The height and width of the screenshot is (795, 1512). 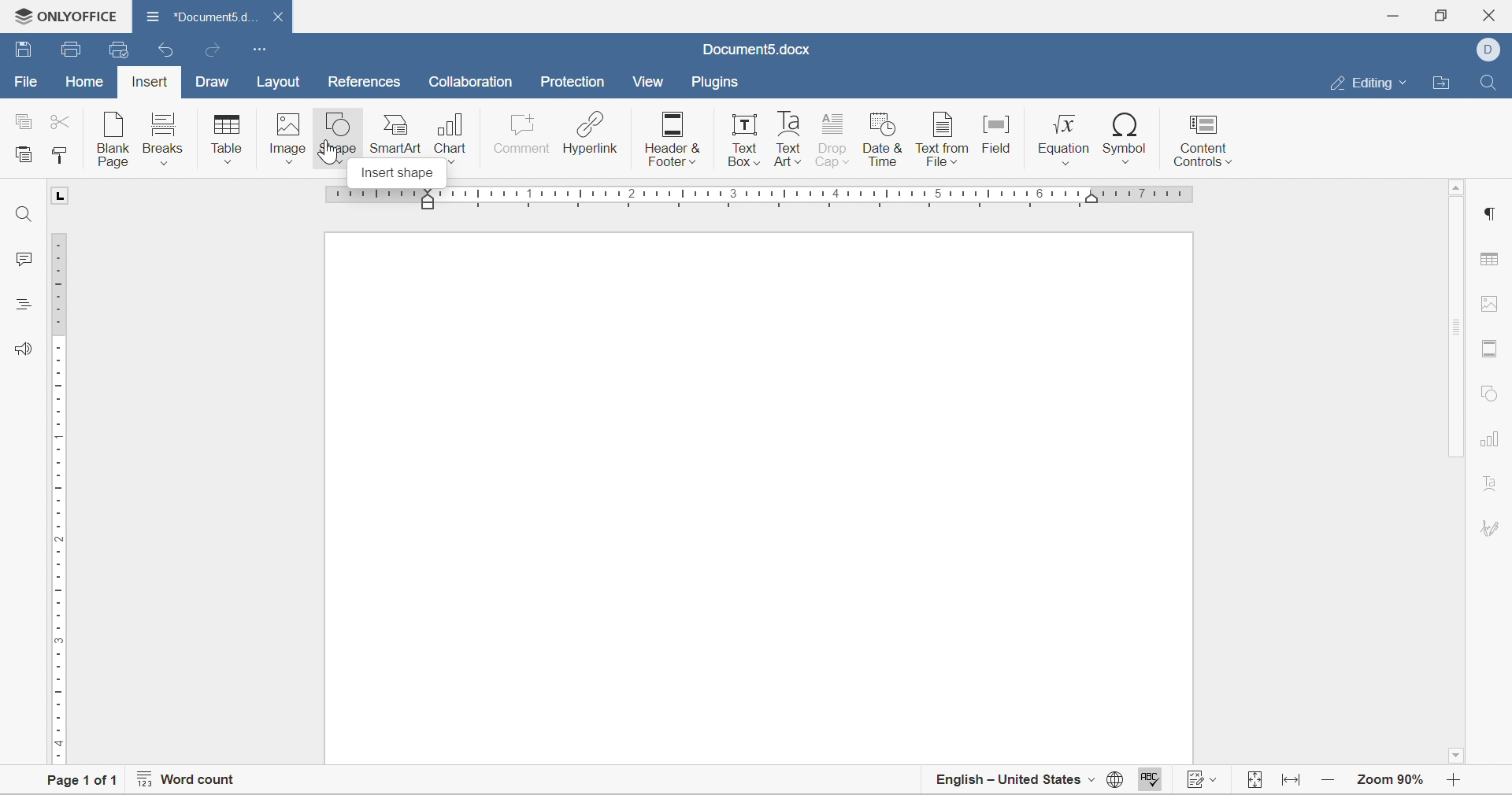 What do you see at coordinates (279, 83) in the screenshot?
I see `layout` at bounding box center [279, 83].